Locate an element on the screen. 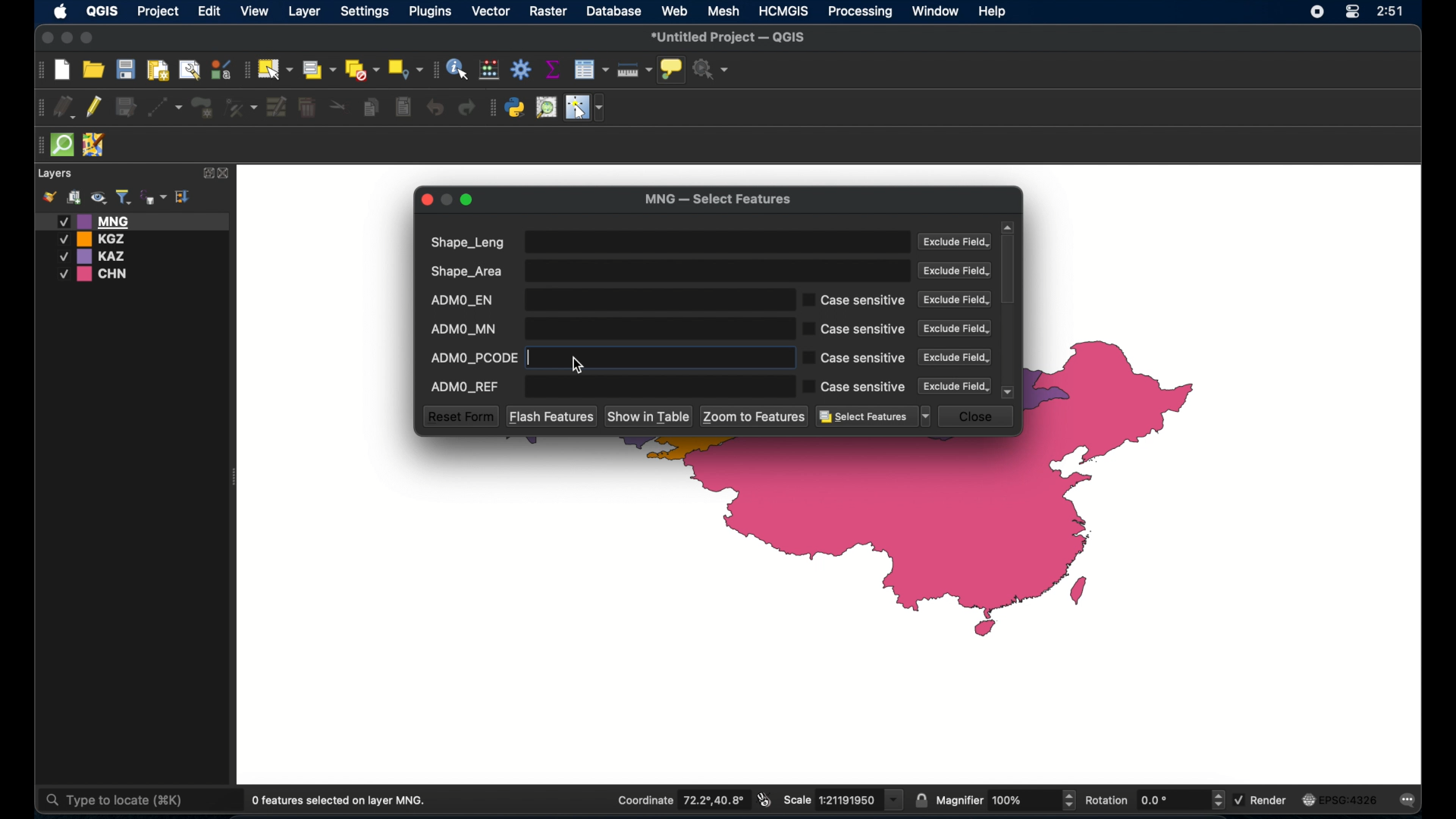 This screenshot has height=819, width=1456. close is located at coordinates (979, 416).